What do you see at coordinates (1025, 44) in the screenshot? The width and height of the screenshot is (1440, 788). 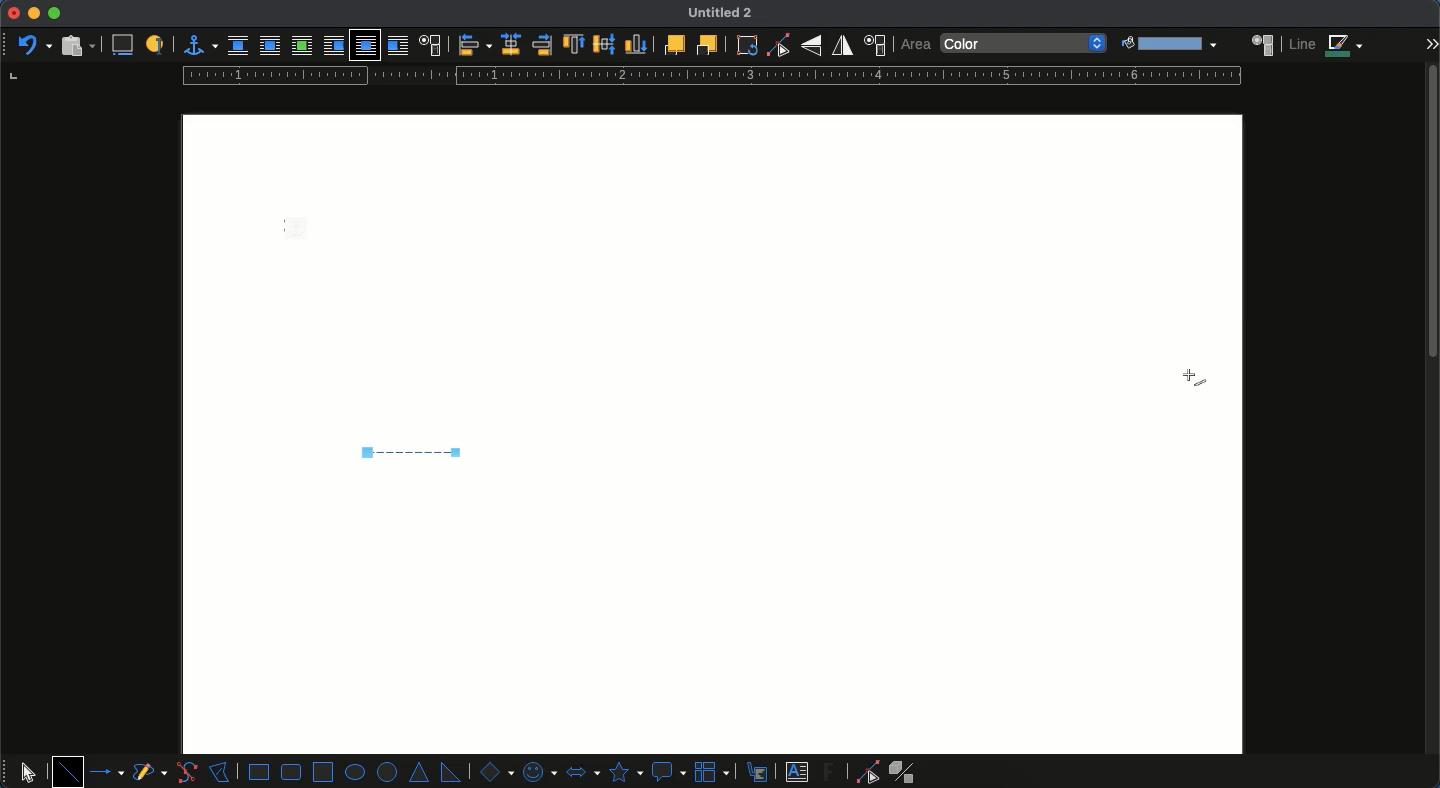 I see `color` at bounding box center [1025, 44].